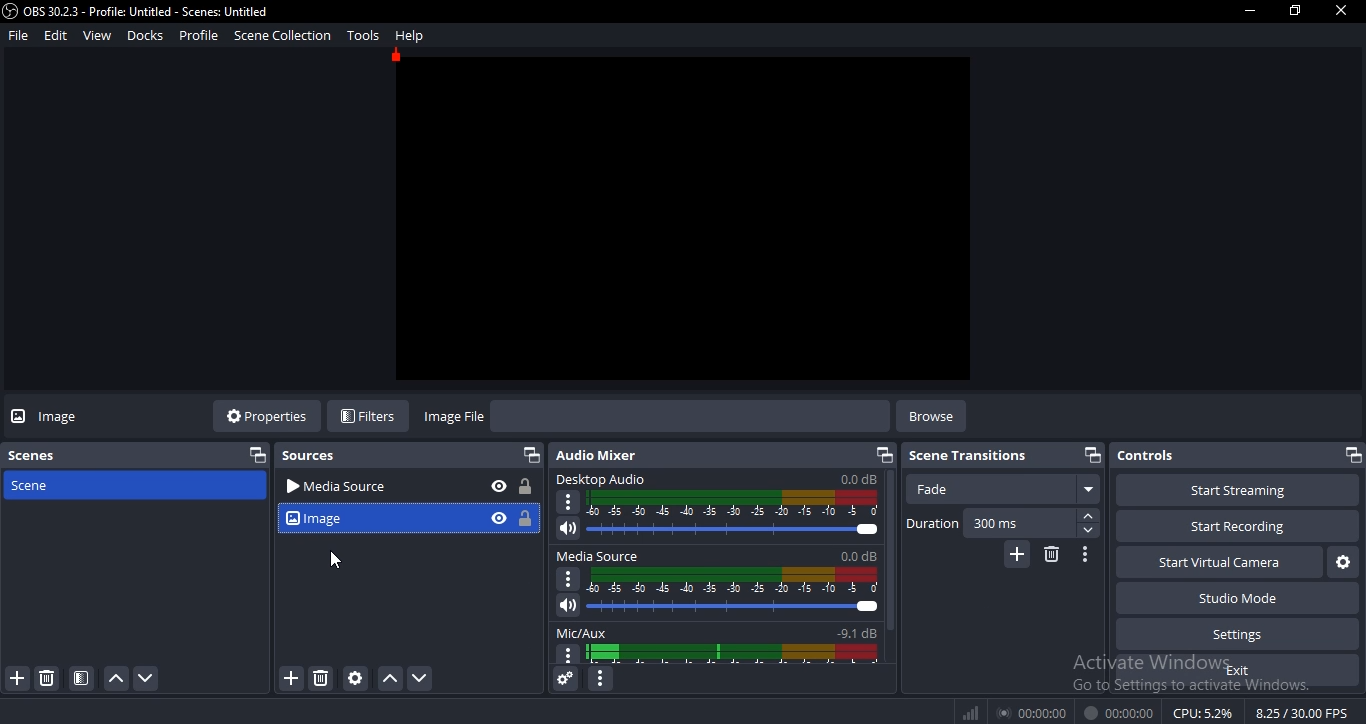 The width and height of the screenshot is (1366, 724). I want to click on fade, so click(1007, 490).